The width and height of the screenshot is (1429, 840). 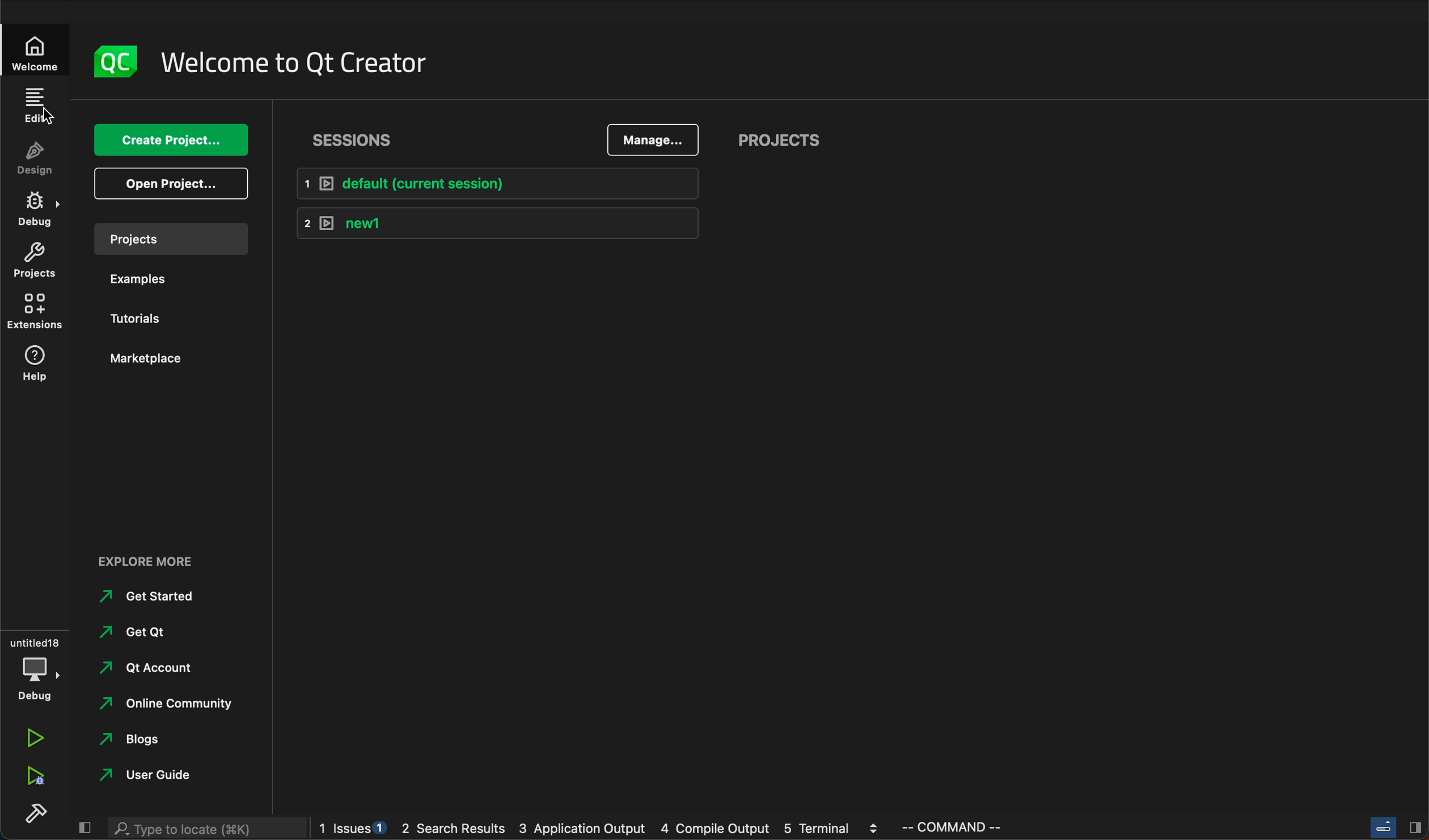 What do you see at coordinates (496, 224) in the screenshot?
I see `new1` at bounding box center [496, 224].